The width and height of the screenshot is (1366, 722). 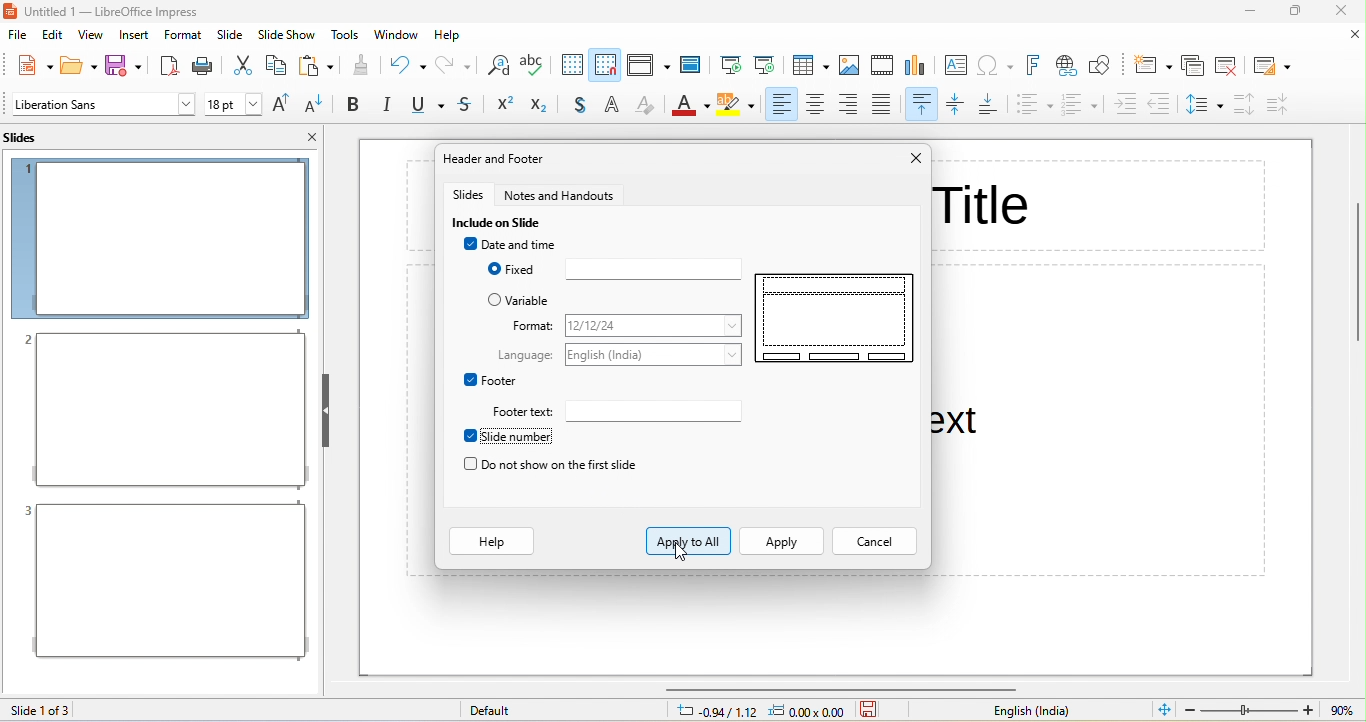 What do you see at coordinates (32, 137) in the screenshot?
I see `slides` at bounding box center [32, 137].